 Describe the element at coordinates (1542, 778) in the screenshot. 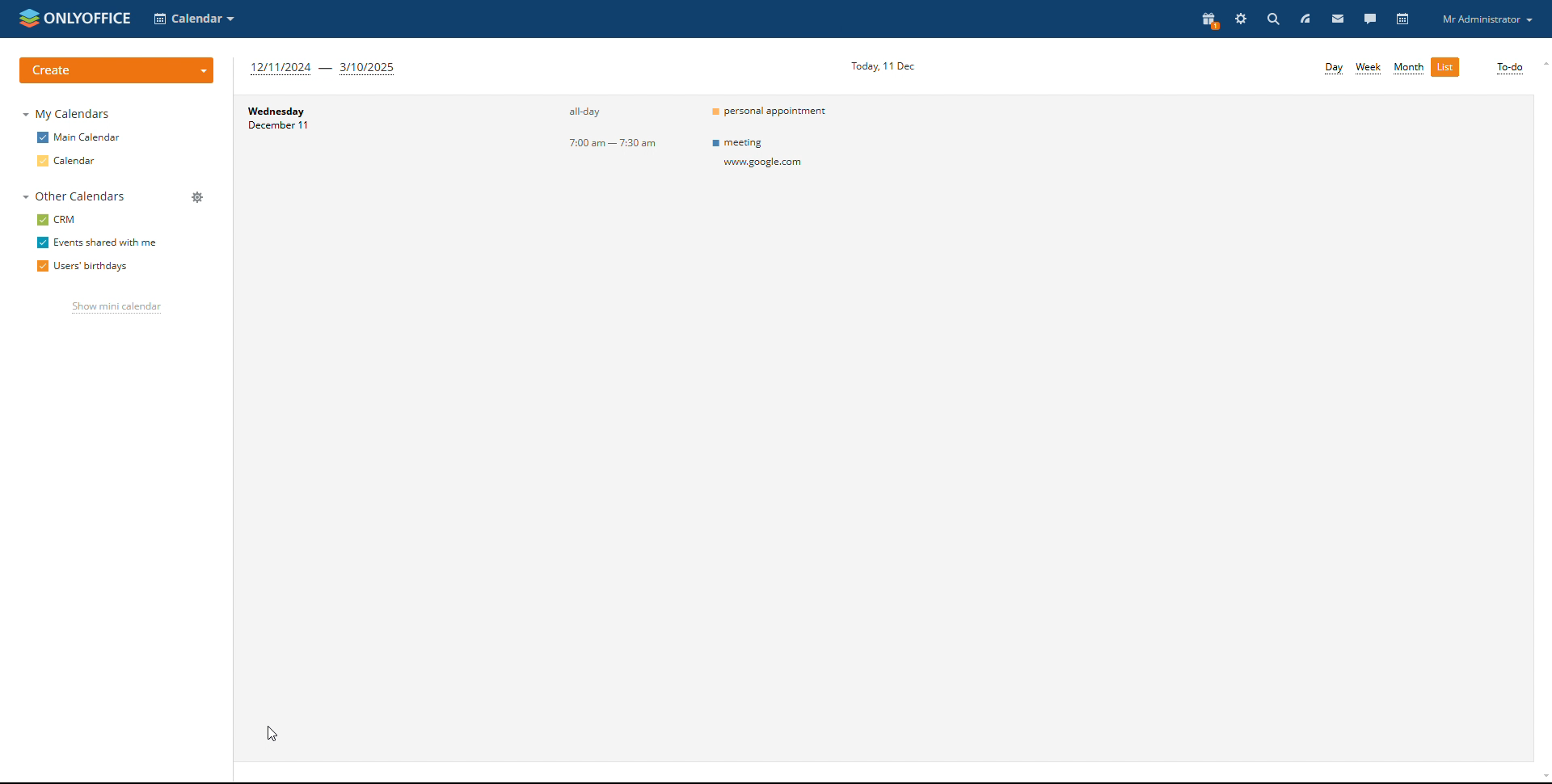

I see `scroll down` at that location.